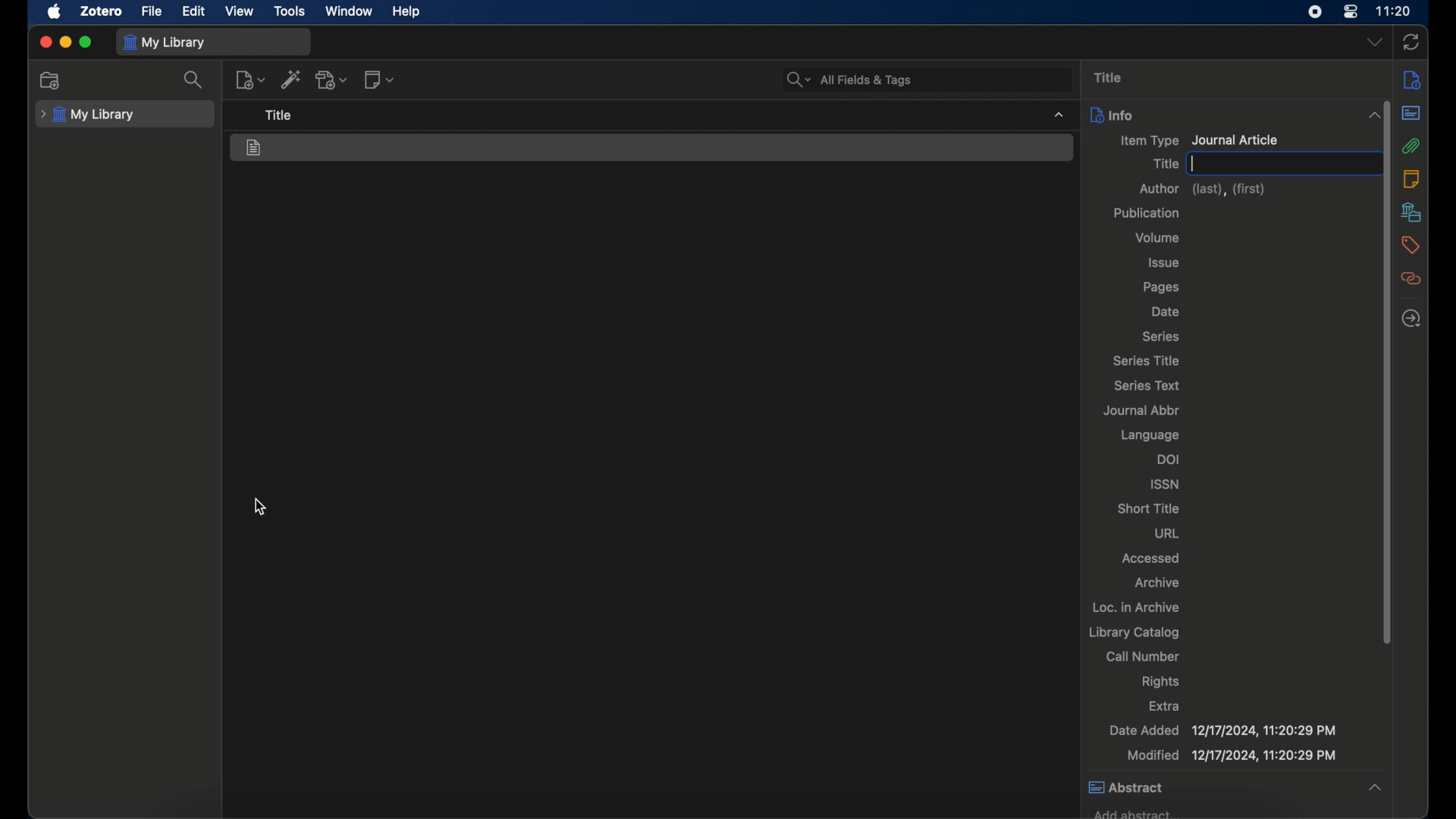 Image resolution: width=1456 pixels, height=819 pixels. I want to click on url, so click(1168, 532).